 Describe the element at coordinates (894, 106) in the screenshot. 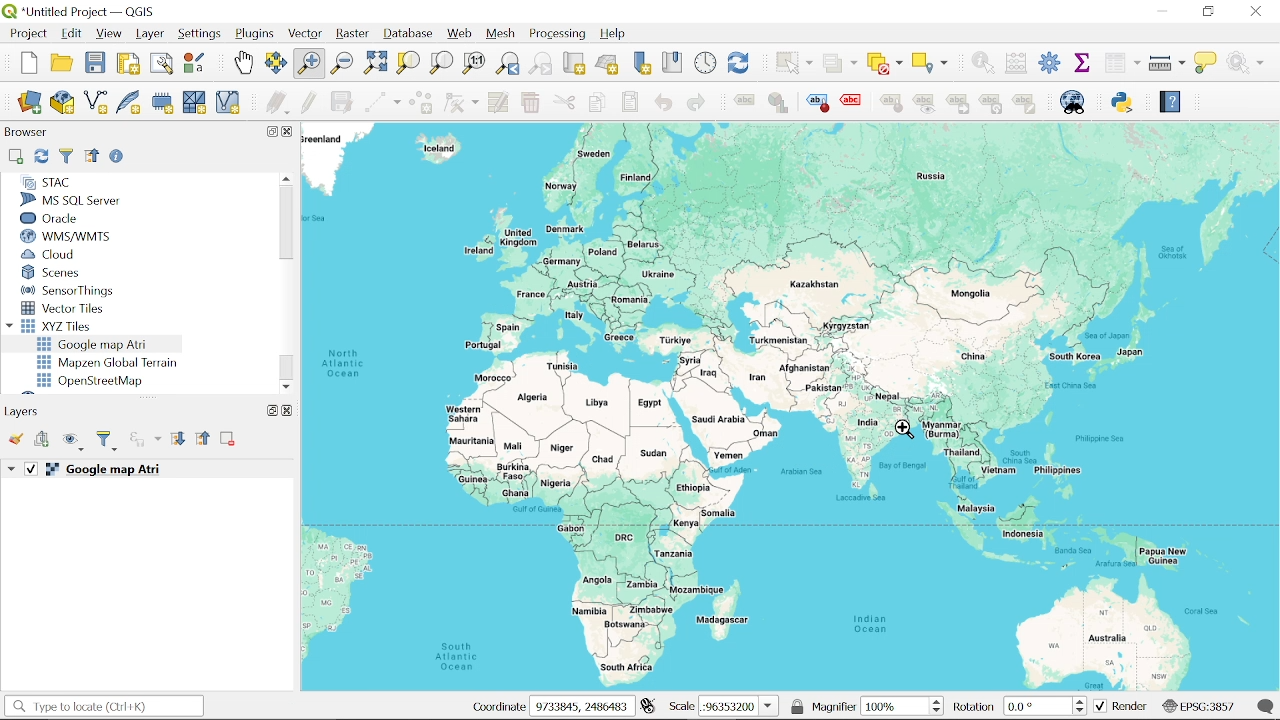

I see `Pin/unpin label and diagrams` at that location.